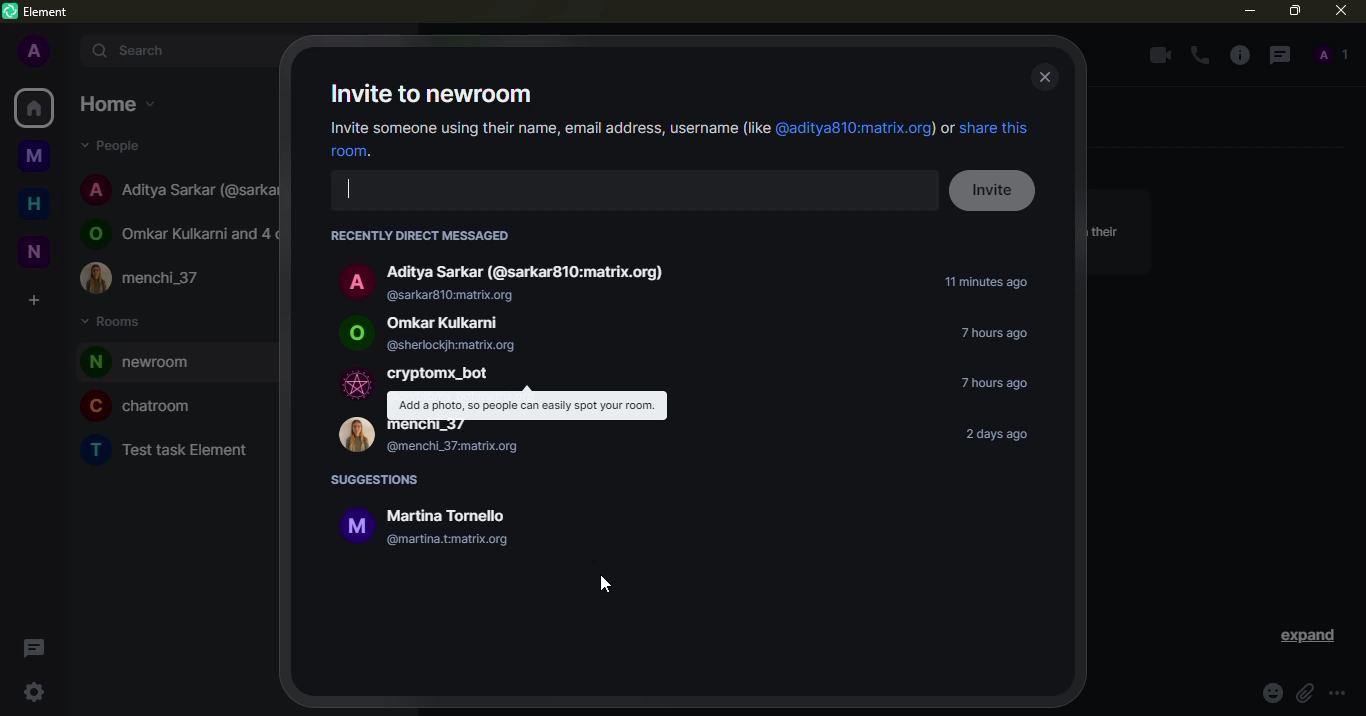  I want to click on Omkar Kulkarni
@sherlockjh:matrix.org, so click(428, 334).